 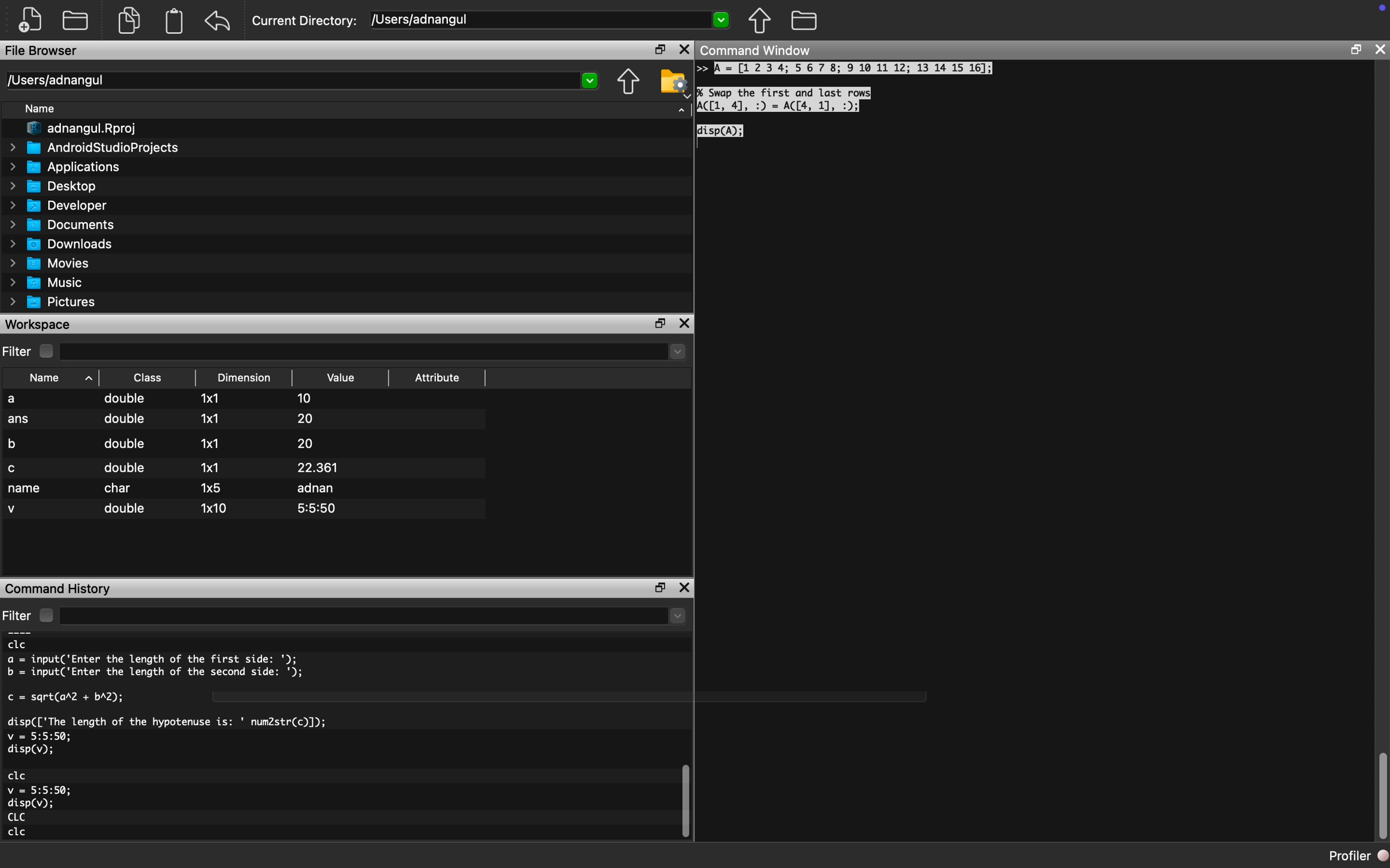 What do you see at coordinates (686, 584) in the screenshot?
I see `Close` at bounding box center [686, 584].